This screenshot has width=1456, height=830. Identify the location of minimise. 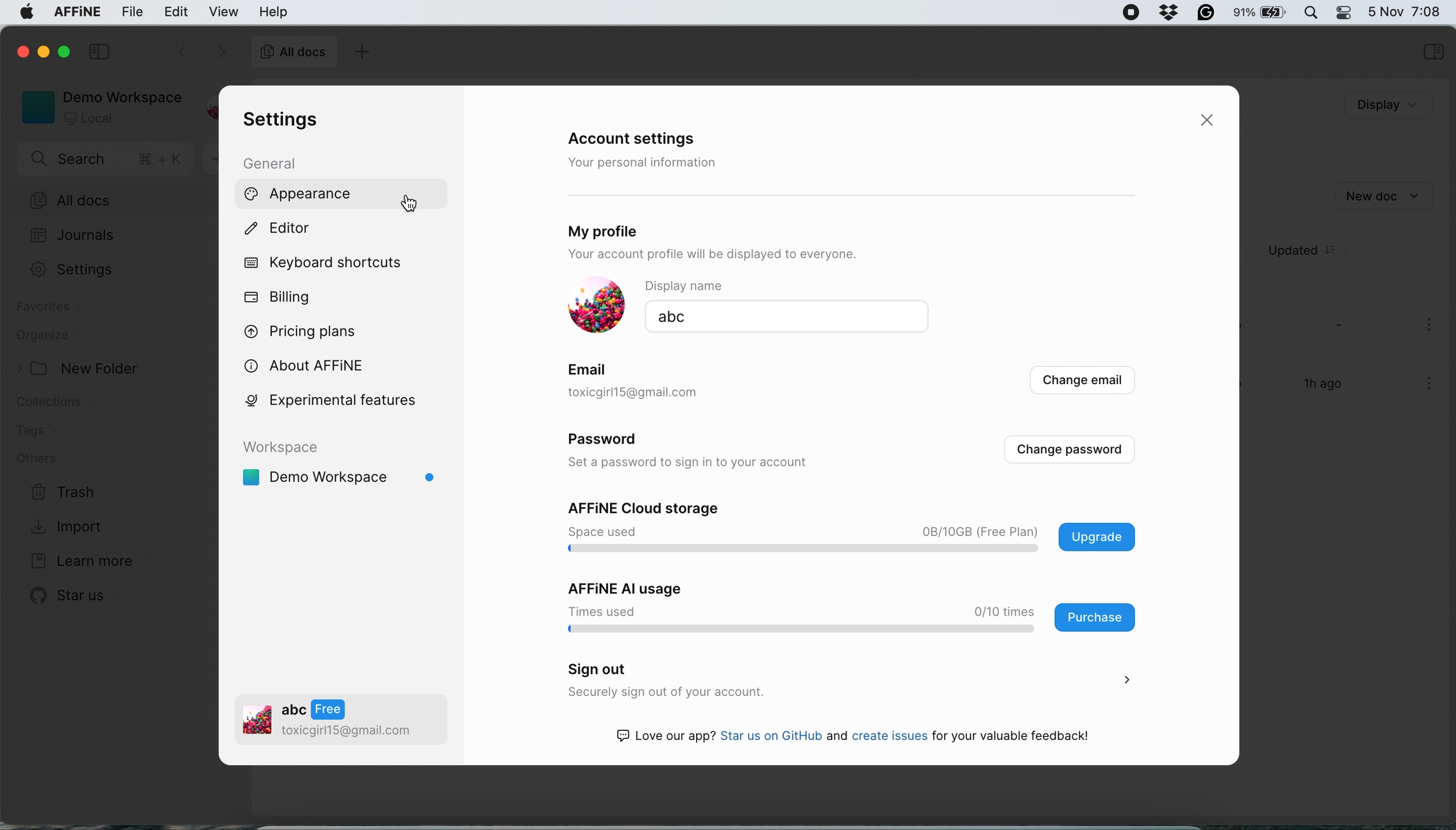
(40, 51).